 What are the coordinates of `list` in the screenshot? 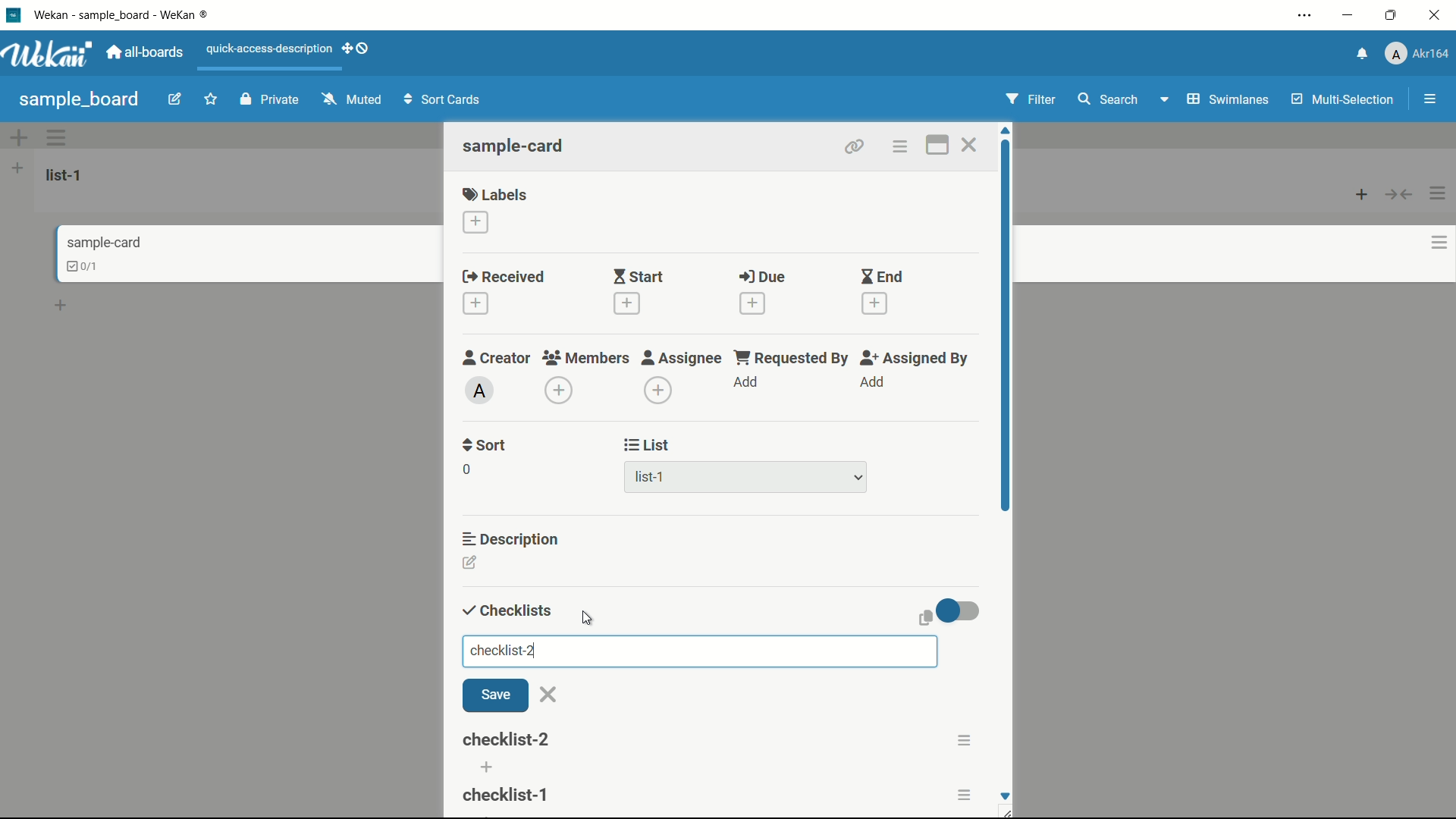 It's located at (648, 445).